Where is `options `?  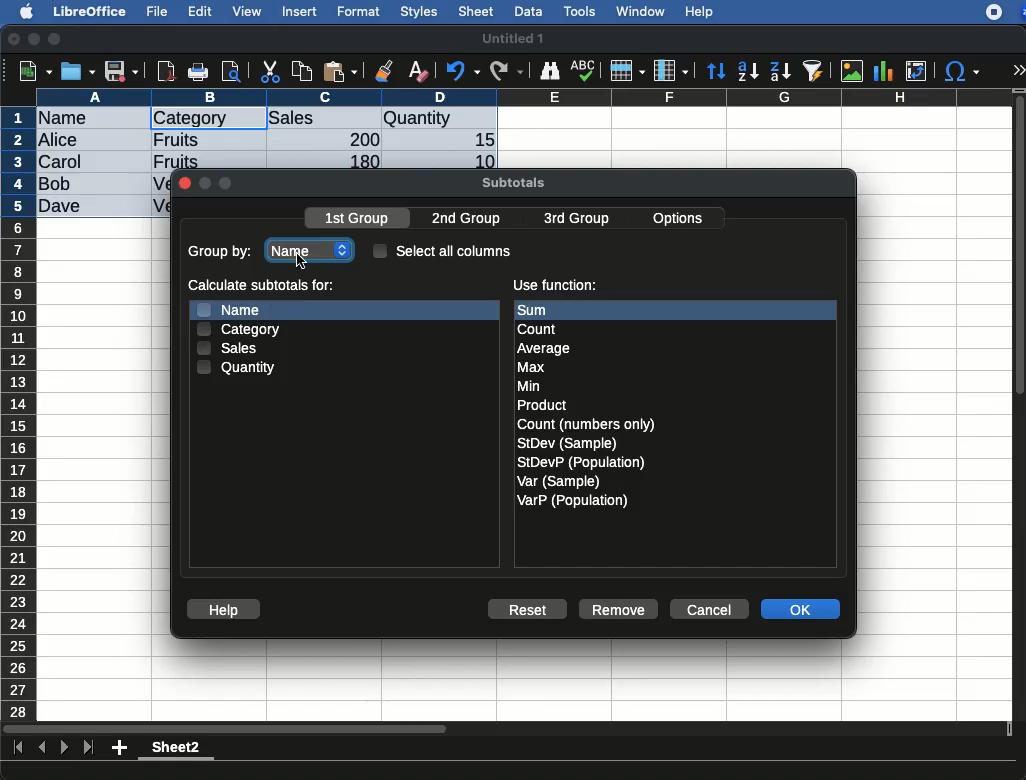 options  is located at coordinates (680, 215).